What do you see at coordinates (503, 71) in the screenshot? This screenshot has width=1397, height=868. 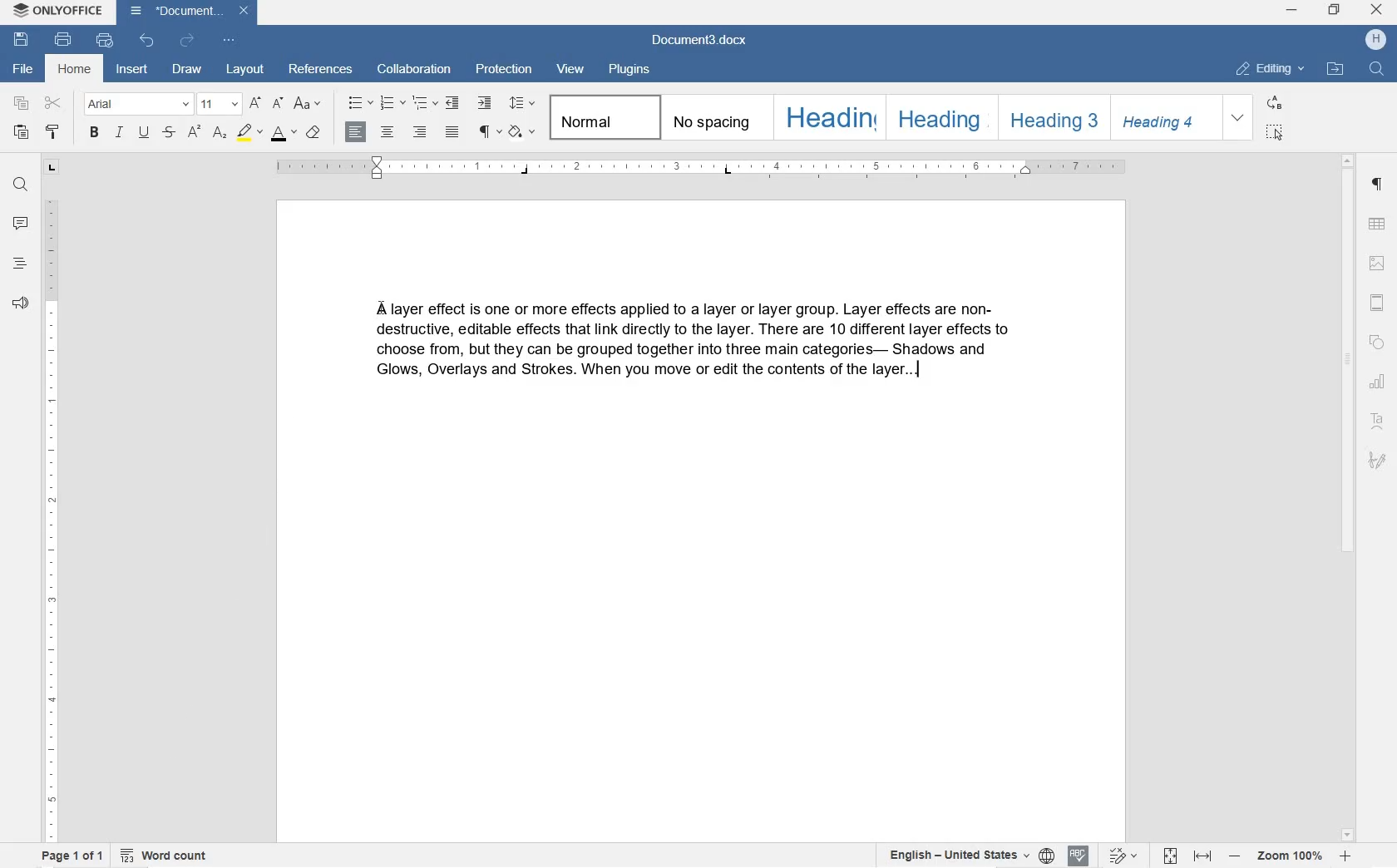 I see `PROTECTION` at bounding box center [503, 71].